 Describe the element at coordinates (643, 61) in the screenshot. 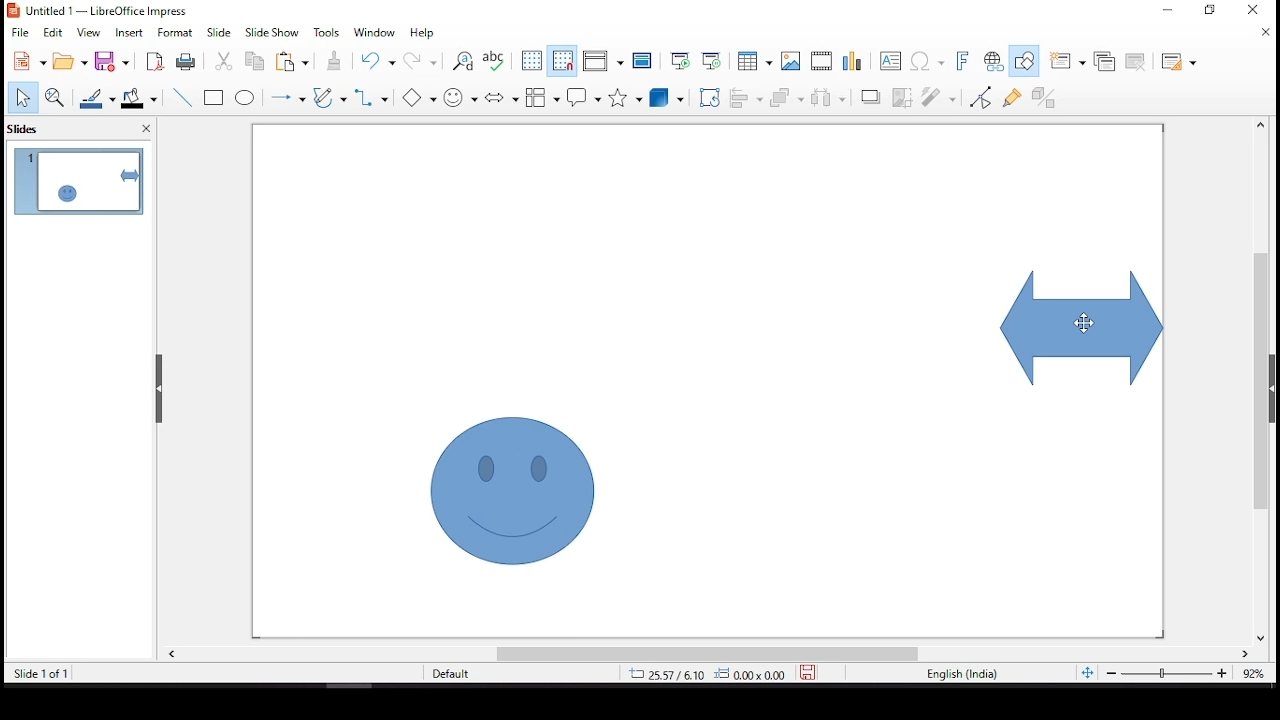

I see `master slide` at that location.